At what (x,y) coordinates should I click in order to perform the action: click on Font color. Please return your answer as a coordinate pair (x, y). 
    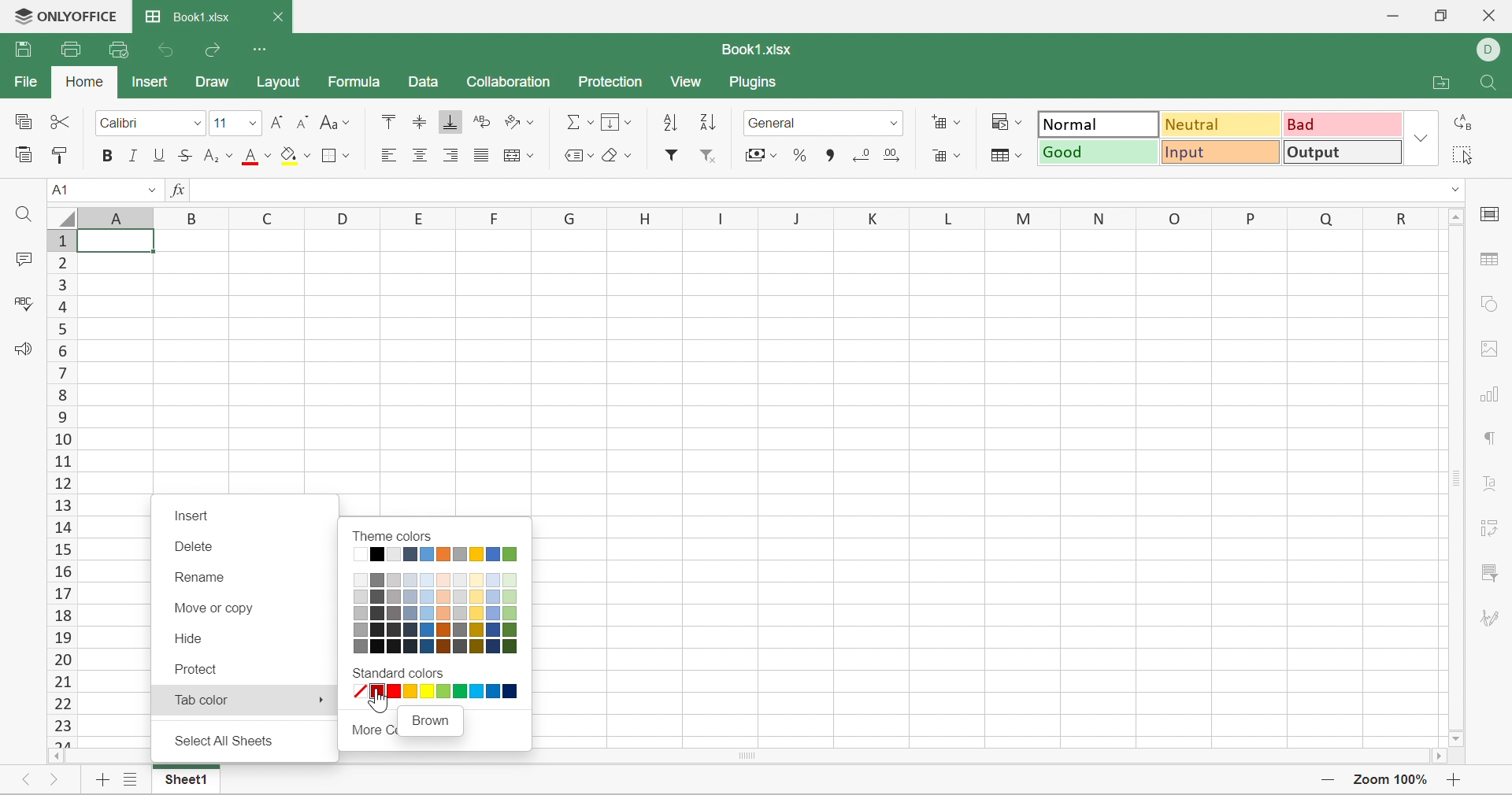
    Looking at the image, I should click on (258, 156).